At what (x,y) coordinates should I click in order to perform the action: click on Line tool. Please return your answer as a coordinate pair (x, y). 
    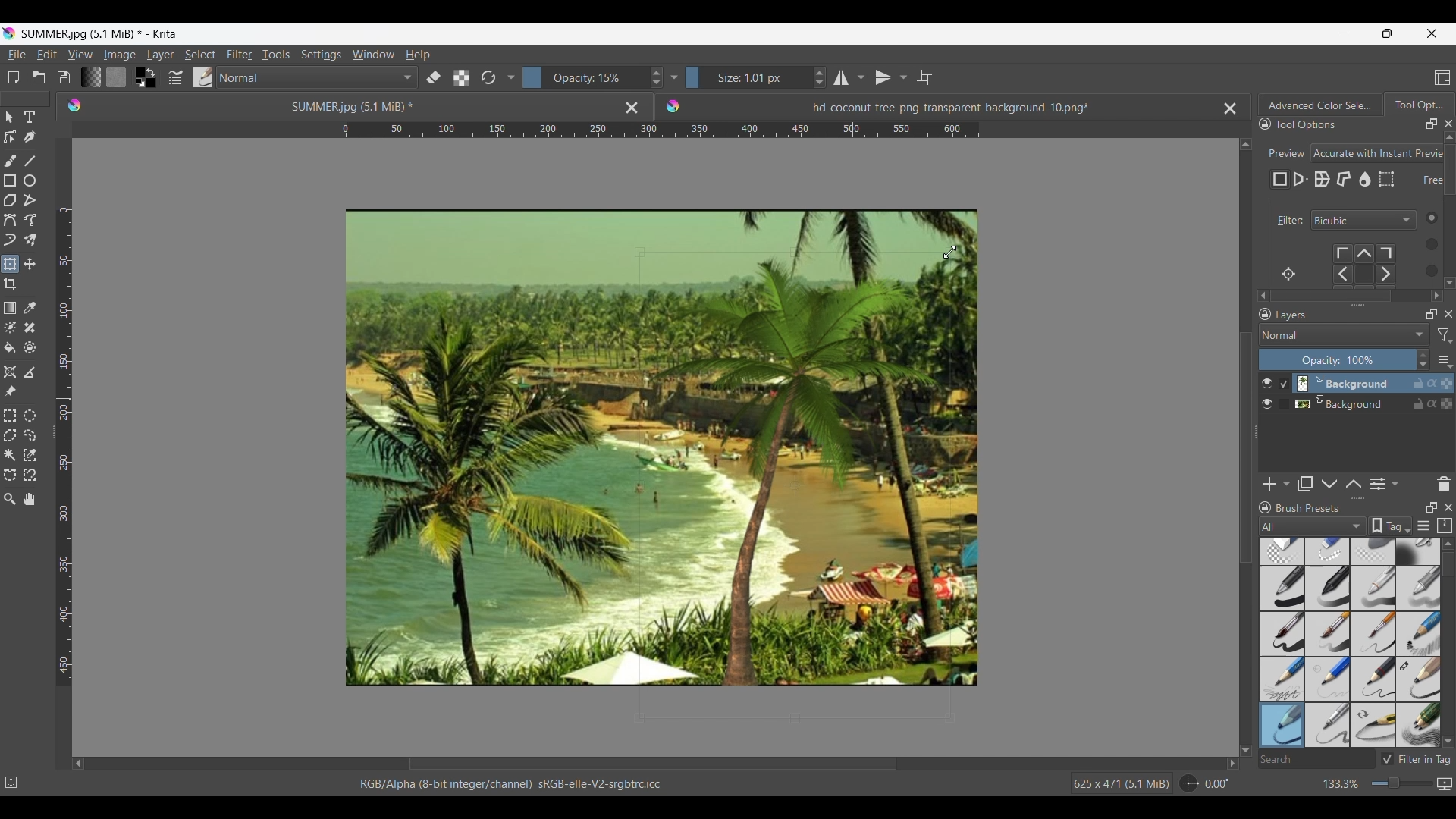
    Looking at the image, I should click on (29, 161).